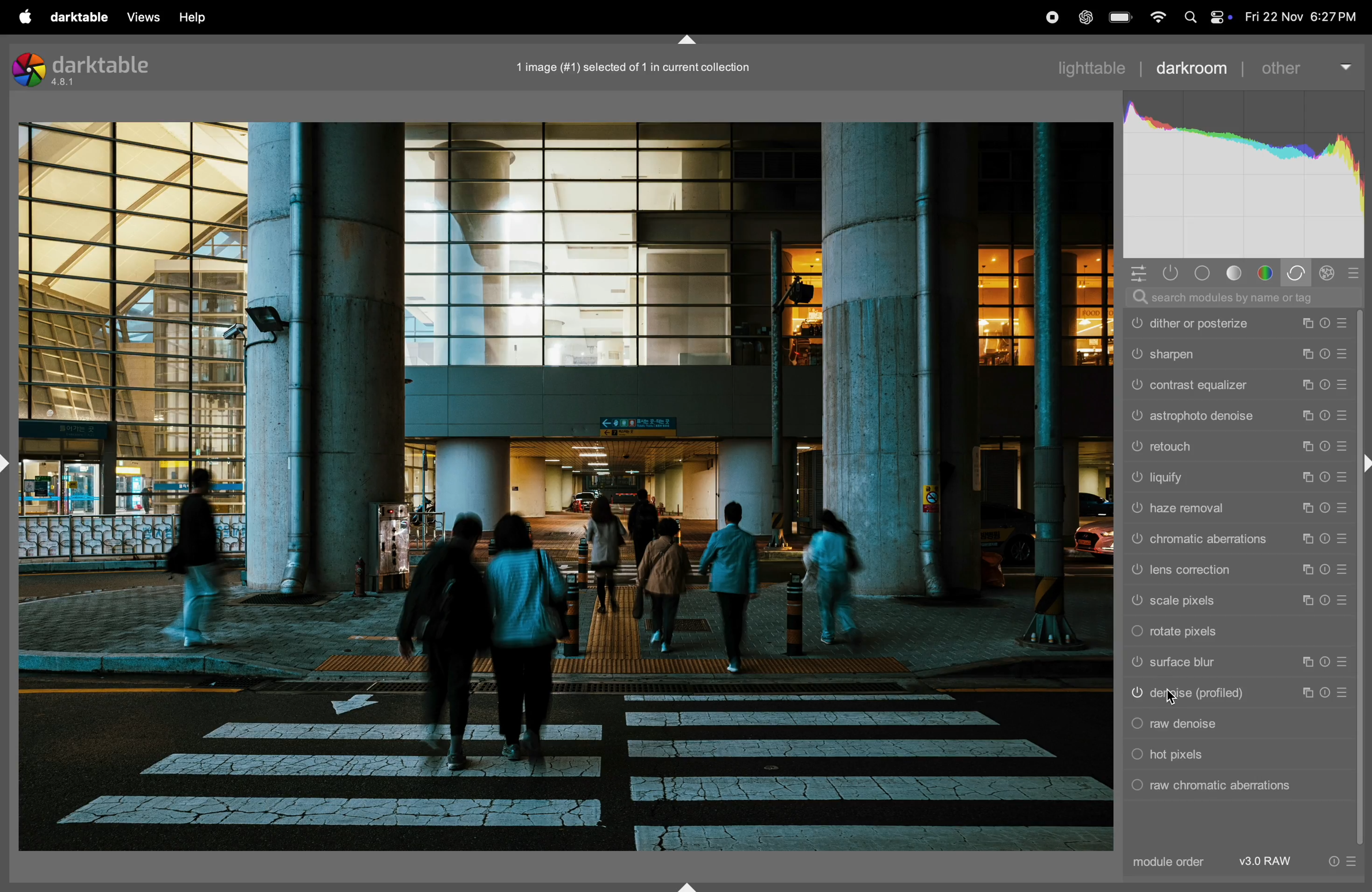 Image resolution: width=1372 pixels, height=892 pixels. What do you see at coordinates (144, 17) in the screenshot?
I see `views` at bounding box center [144, 17].